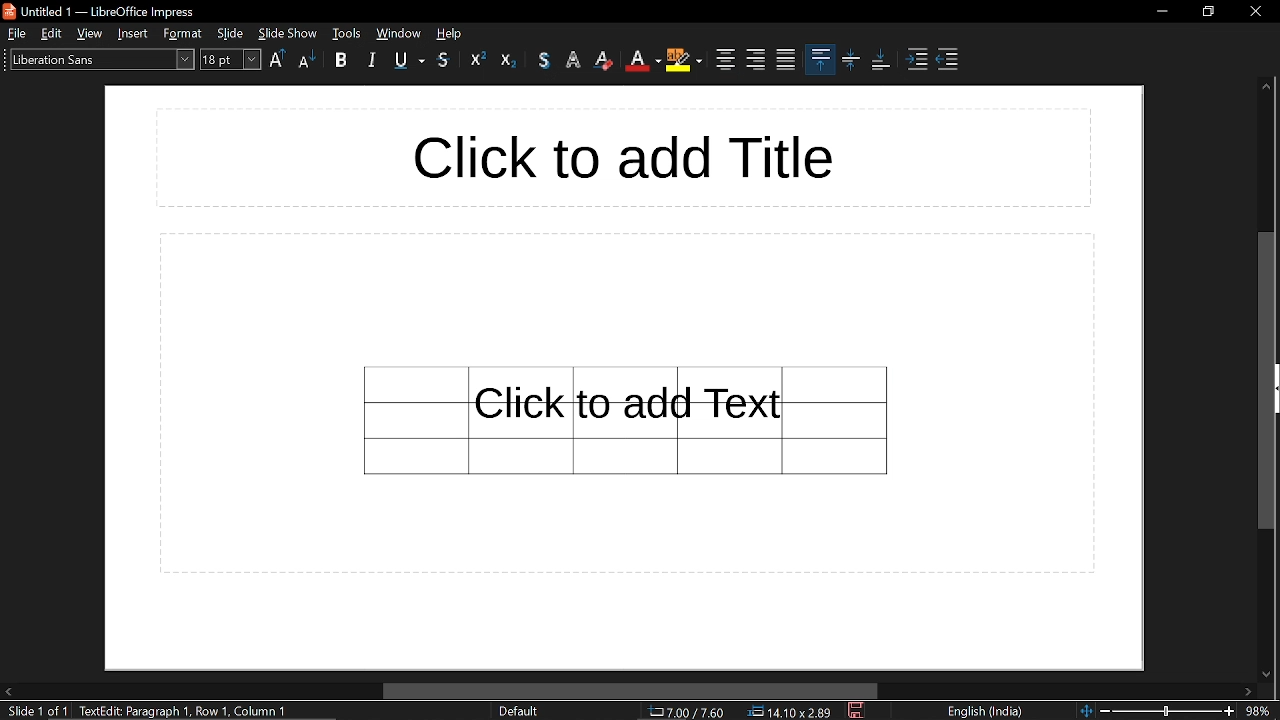  Describe the element at coordinates (1085, 710) in the screenshot. I see `fit to page` at that location.